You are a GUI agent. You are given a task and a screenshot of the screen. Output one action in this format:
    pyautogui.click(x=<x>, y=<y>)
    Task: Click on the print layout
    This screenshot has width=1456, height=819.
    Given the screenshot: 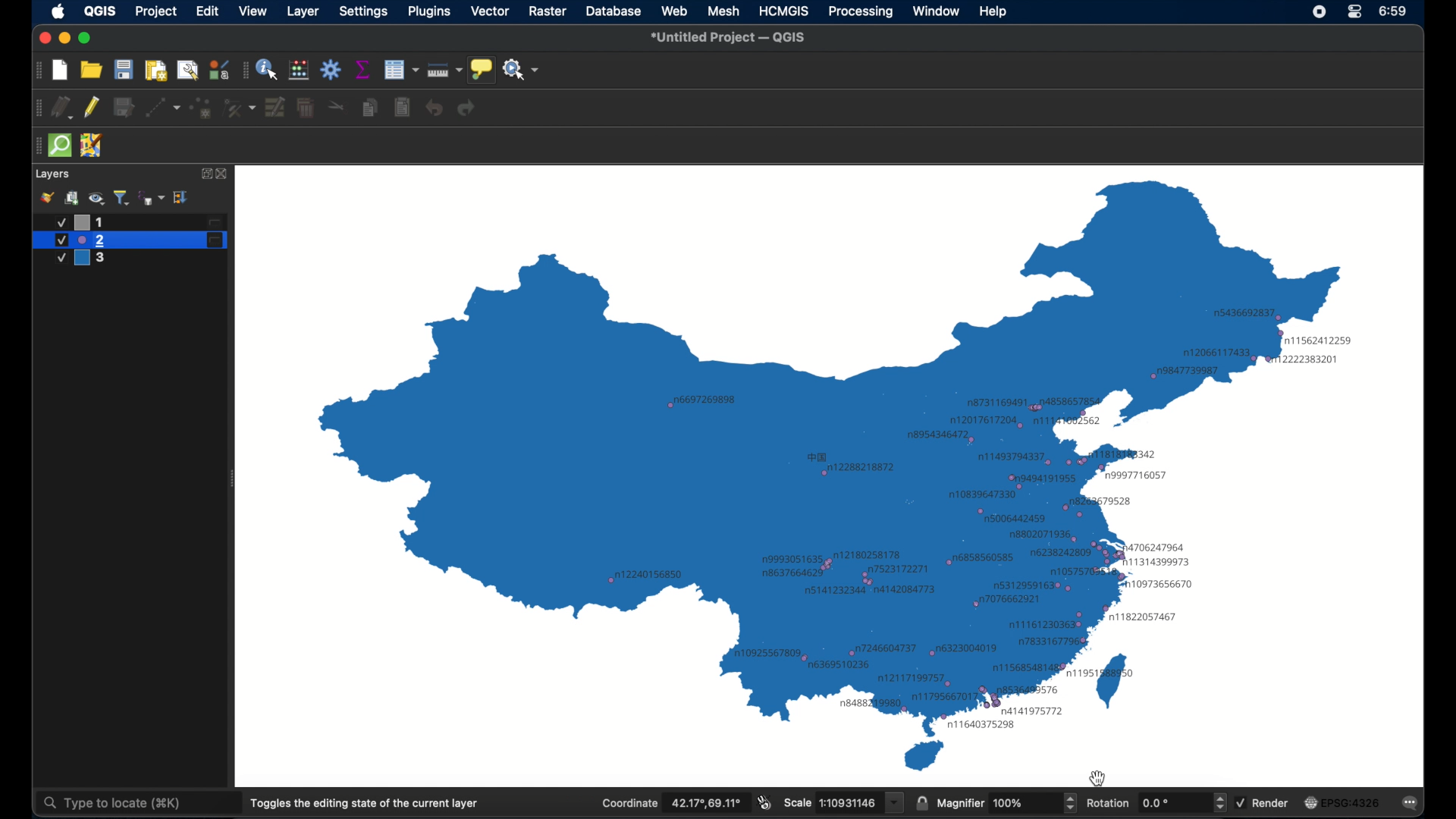 What is the action you would take?
    pyautogui.click(x=156, y=71)
    